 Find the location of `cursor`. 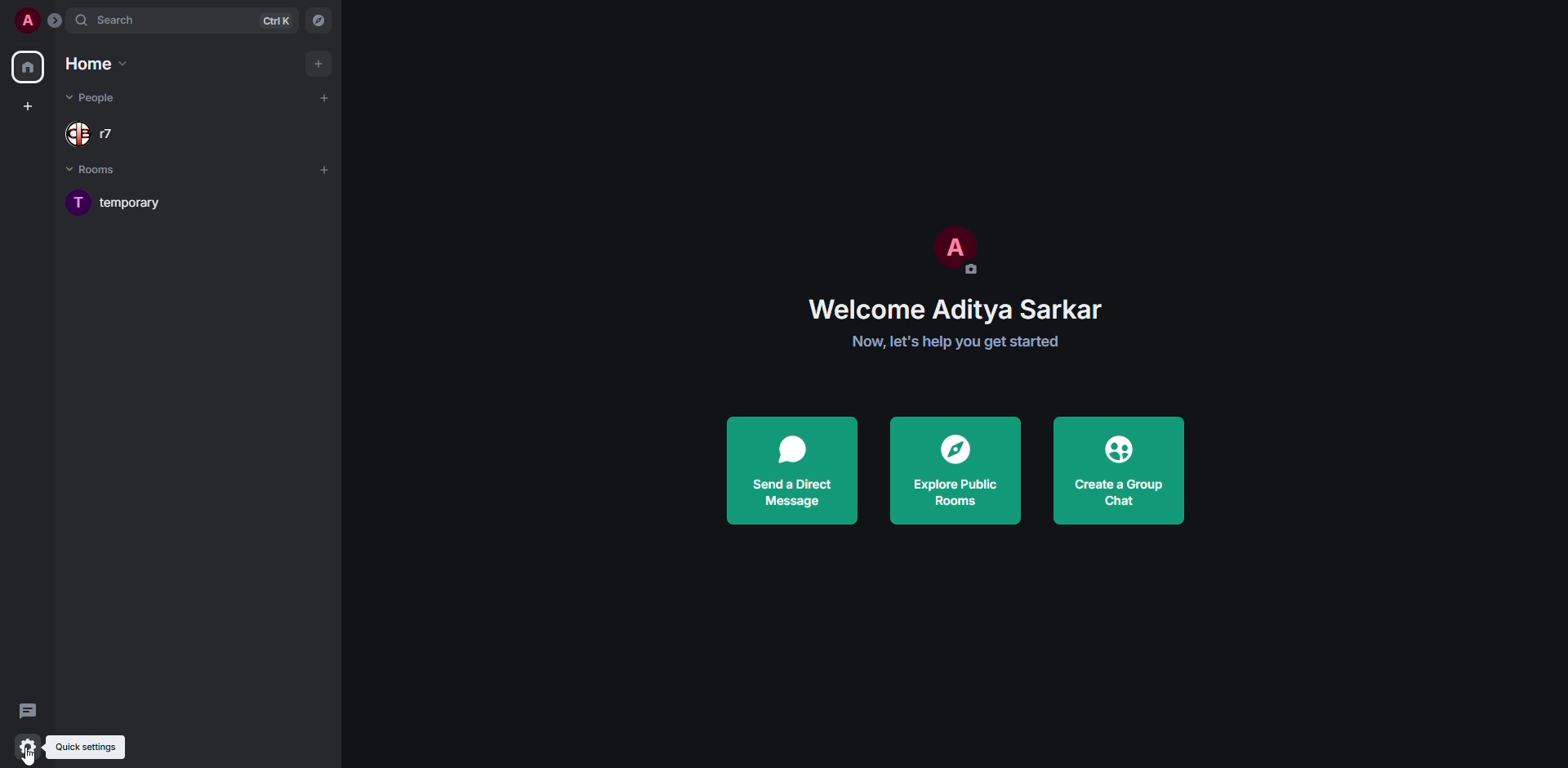

cursor is located at coordinates (28, 756).